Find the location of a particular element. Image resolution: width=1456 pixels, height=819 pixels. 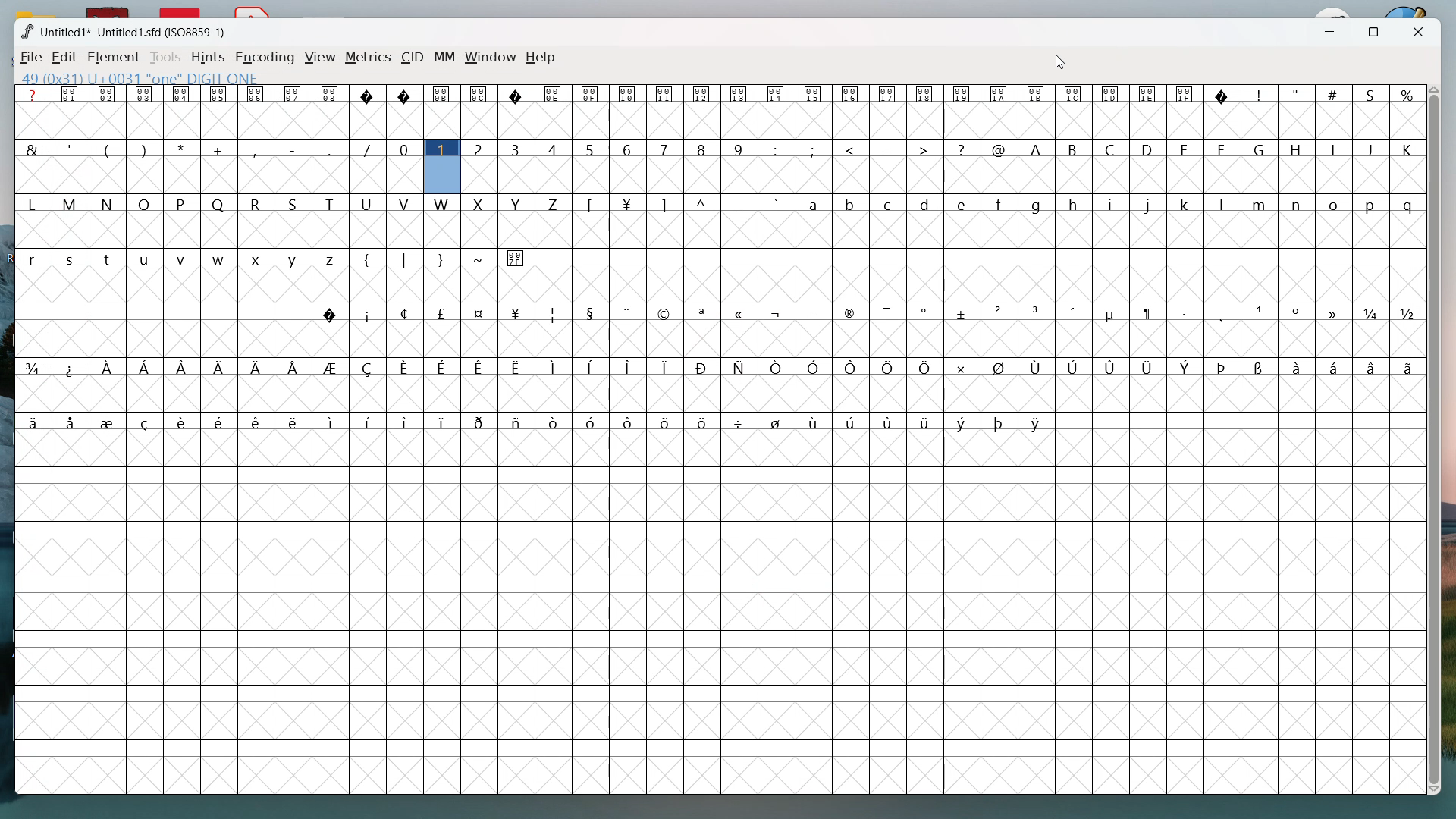

symbol is located at coordinates (1037, 94).